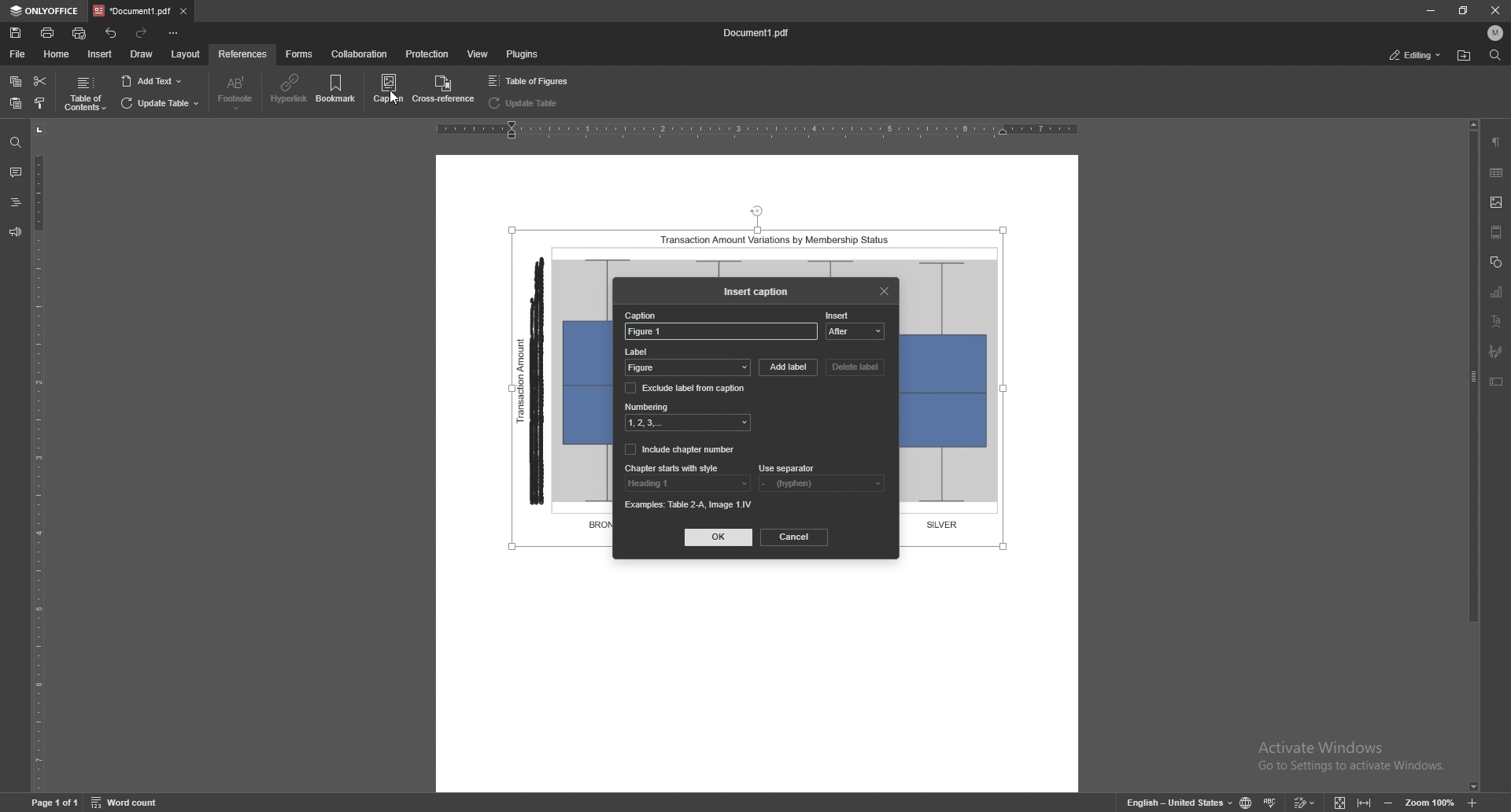  What do you see at coordinates (132, 11) in the screenshot?
I see `tab` at bounding box center [132, 11].